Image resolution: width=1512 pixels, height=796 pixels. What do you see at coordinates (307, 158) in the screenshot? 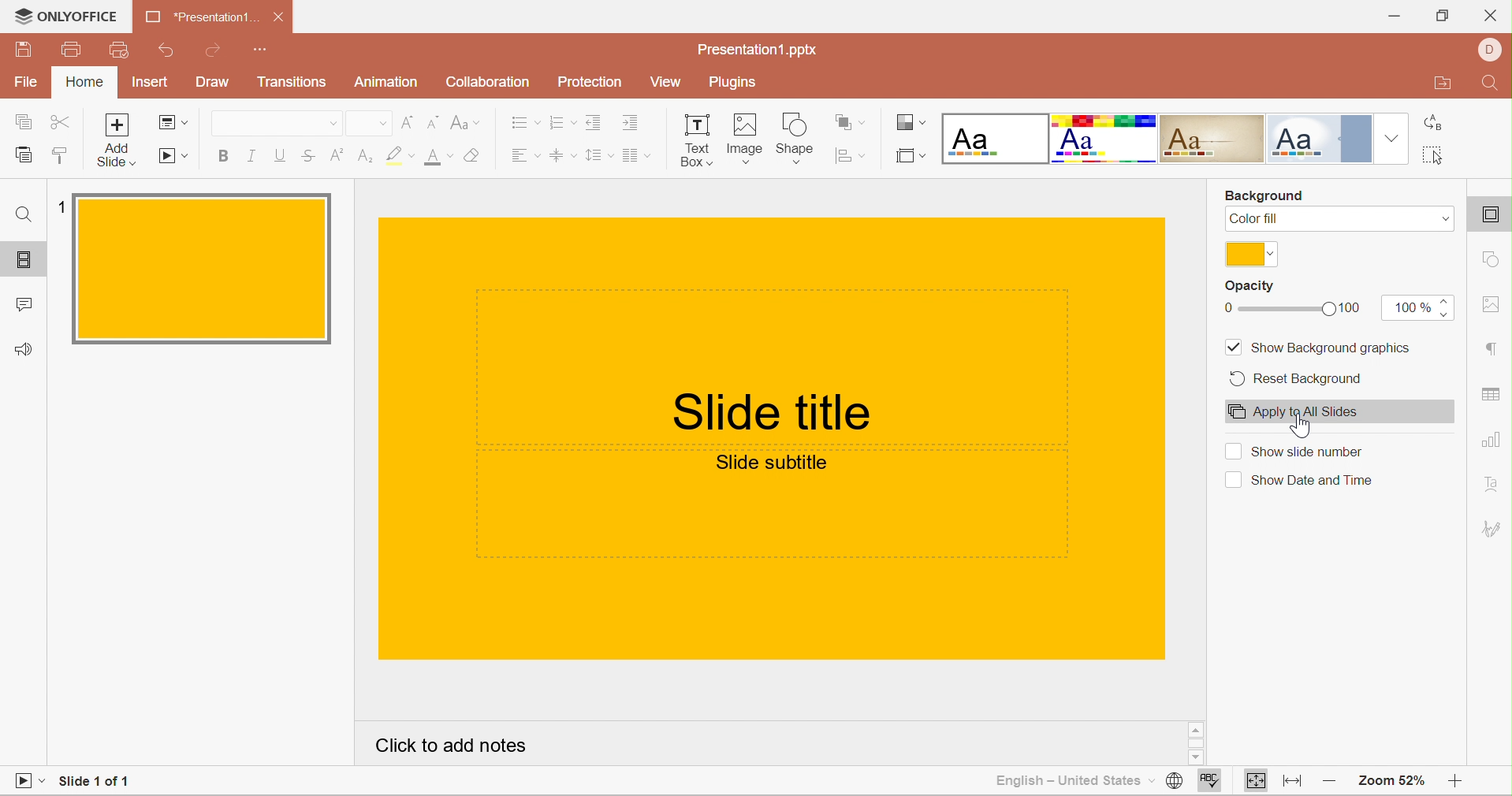
I see `Strikethrough` at bounding box center [307, 158].